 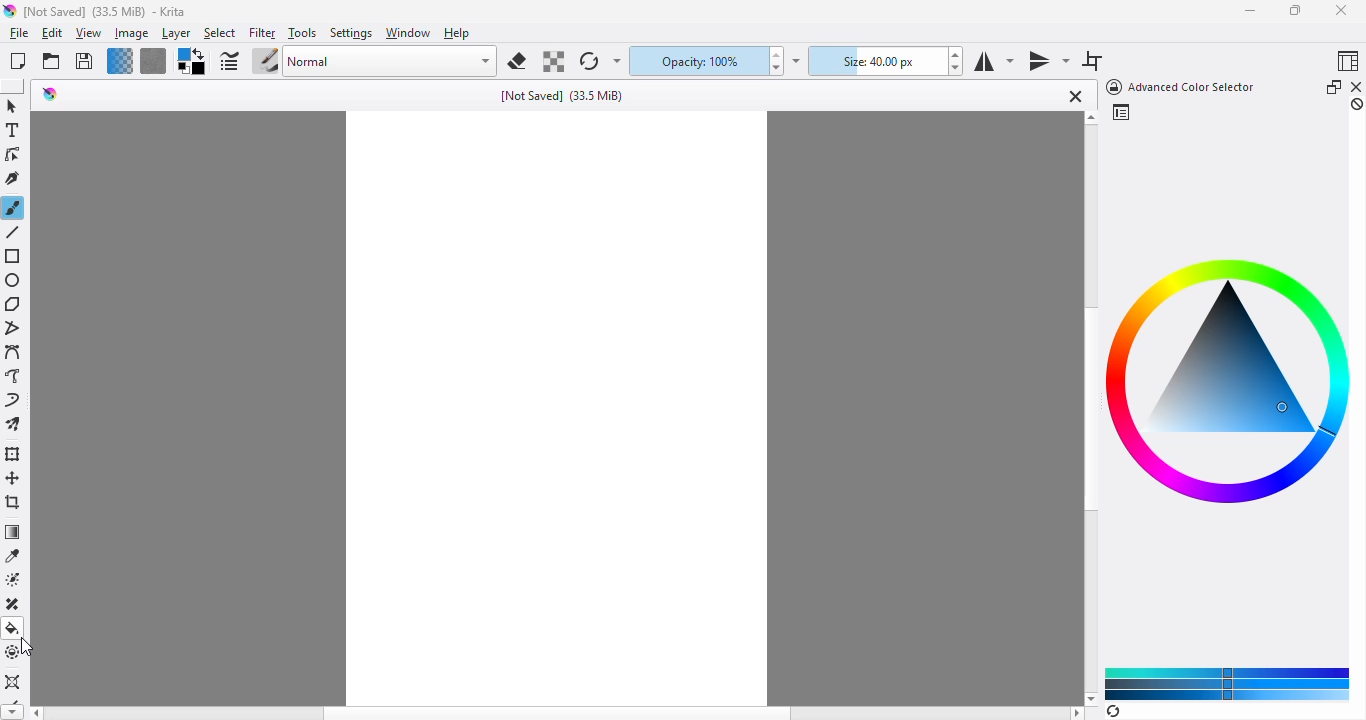 What do you see at coordinates (51, 61) in the screenshot?
I see `open an existing document` at bounding box center [51, 61].